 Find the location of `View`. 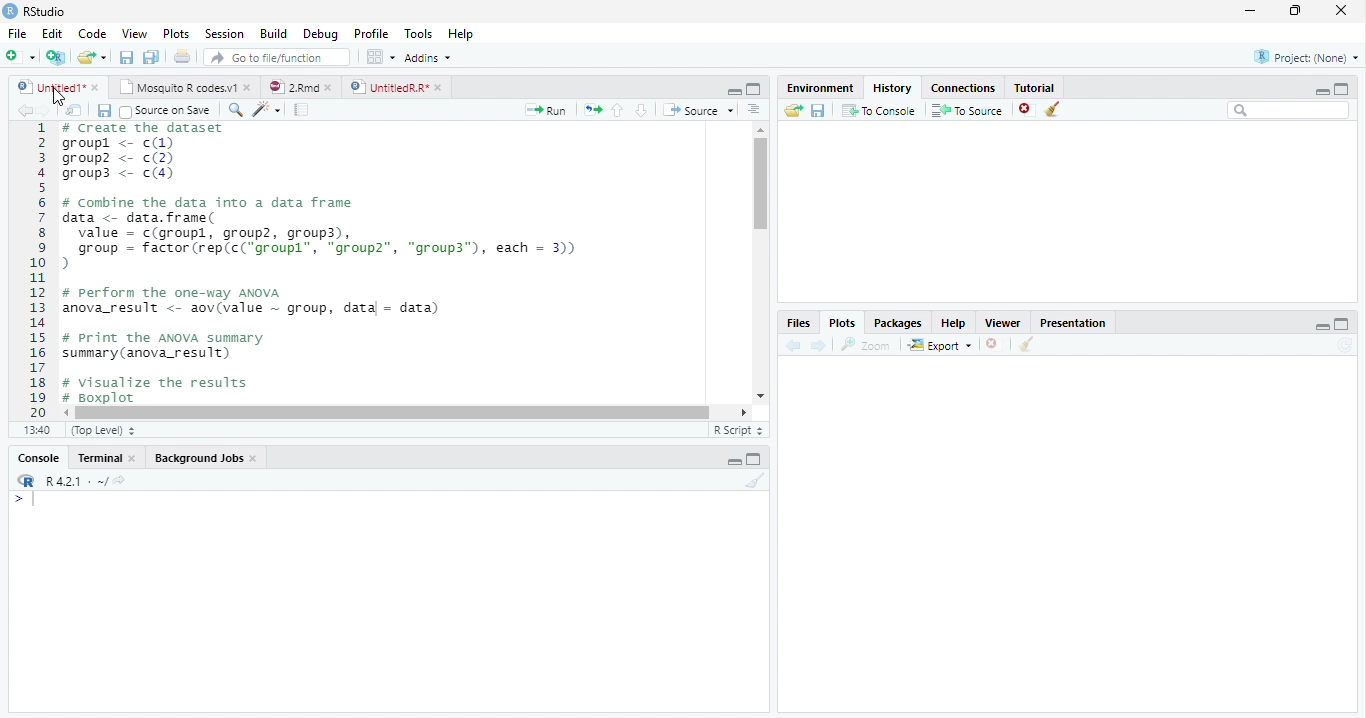

View is located at coordinates (134, 35).